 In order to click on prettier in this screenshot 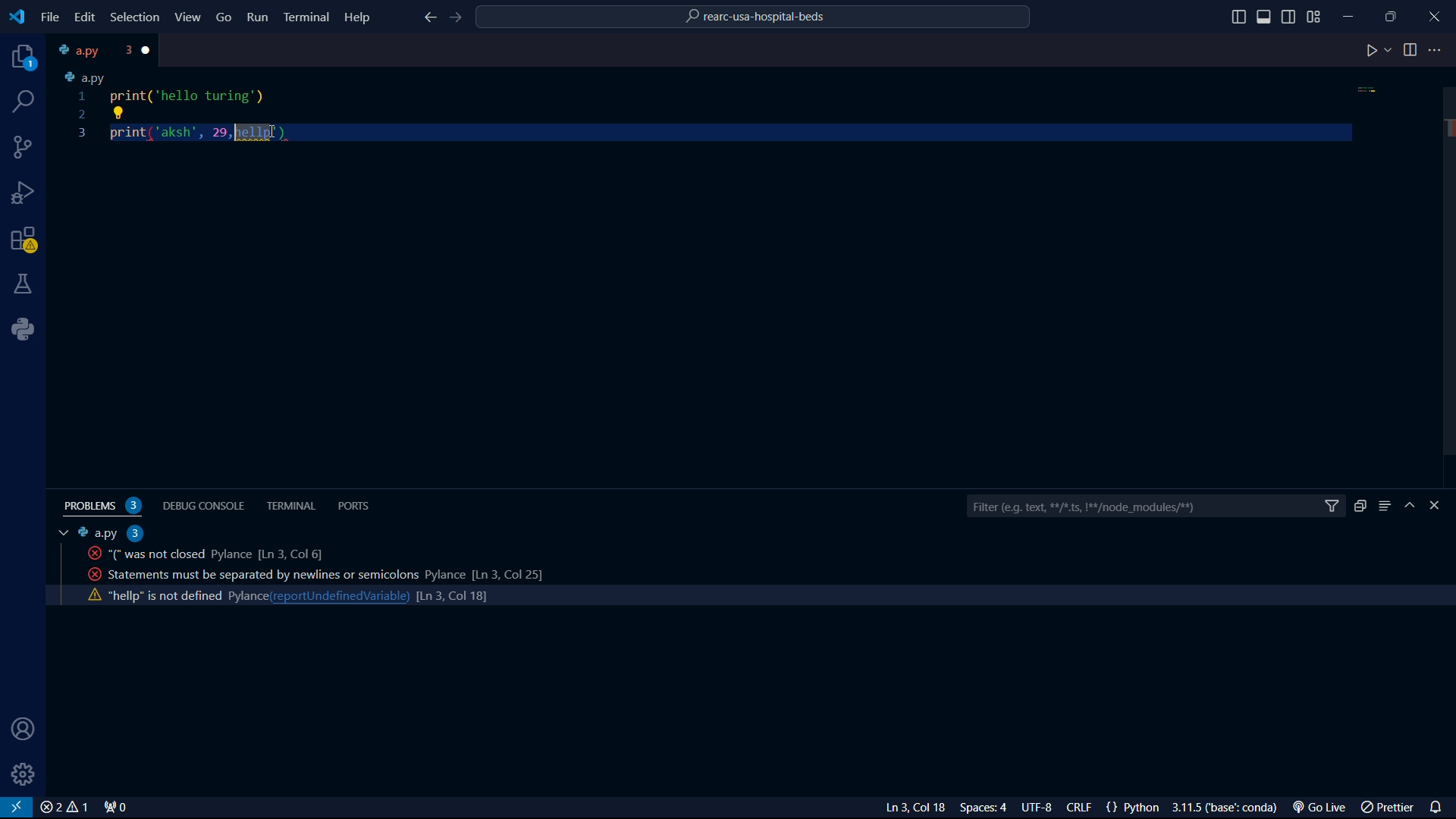, I will do `click(1389, 808)`.